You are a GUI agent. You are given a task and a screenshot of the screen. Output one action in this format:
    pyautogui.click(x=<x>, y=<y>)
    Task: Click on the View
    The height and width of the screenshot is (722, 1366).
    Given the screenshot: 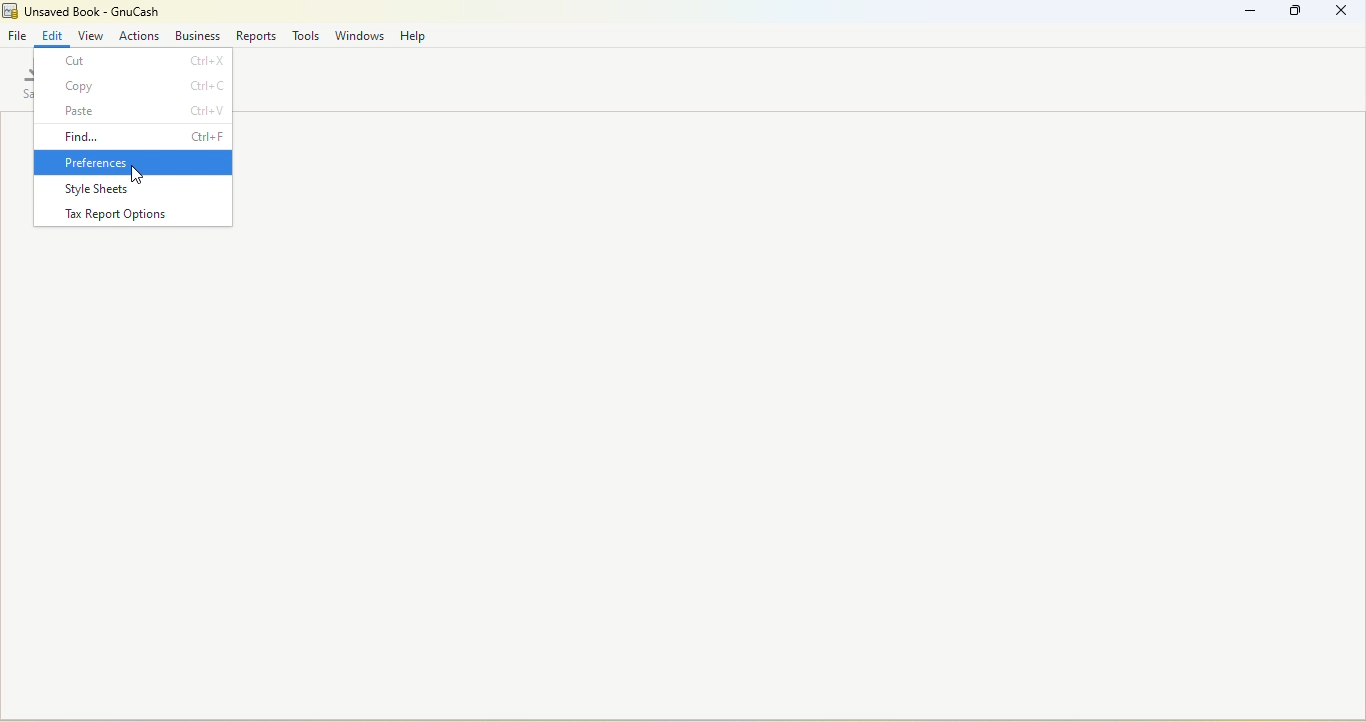 What is the action you would take?
    pyautogui.click(x=92, y=34)
    